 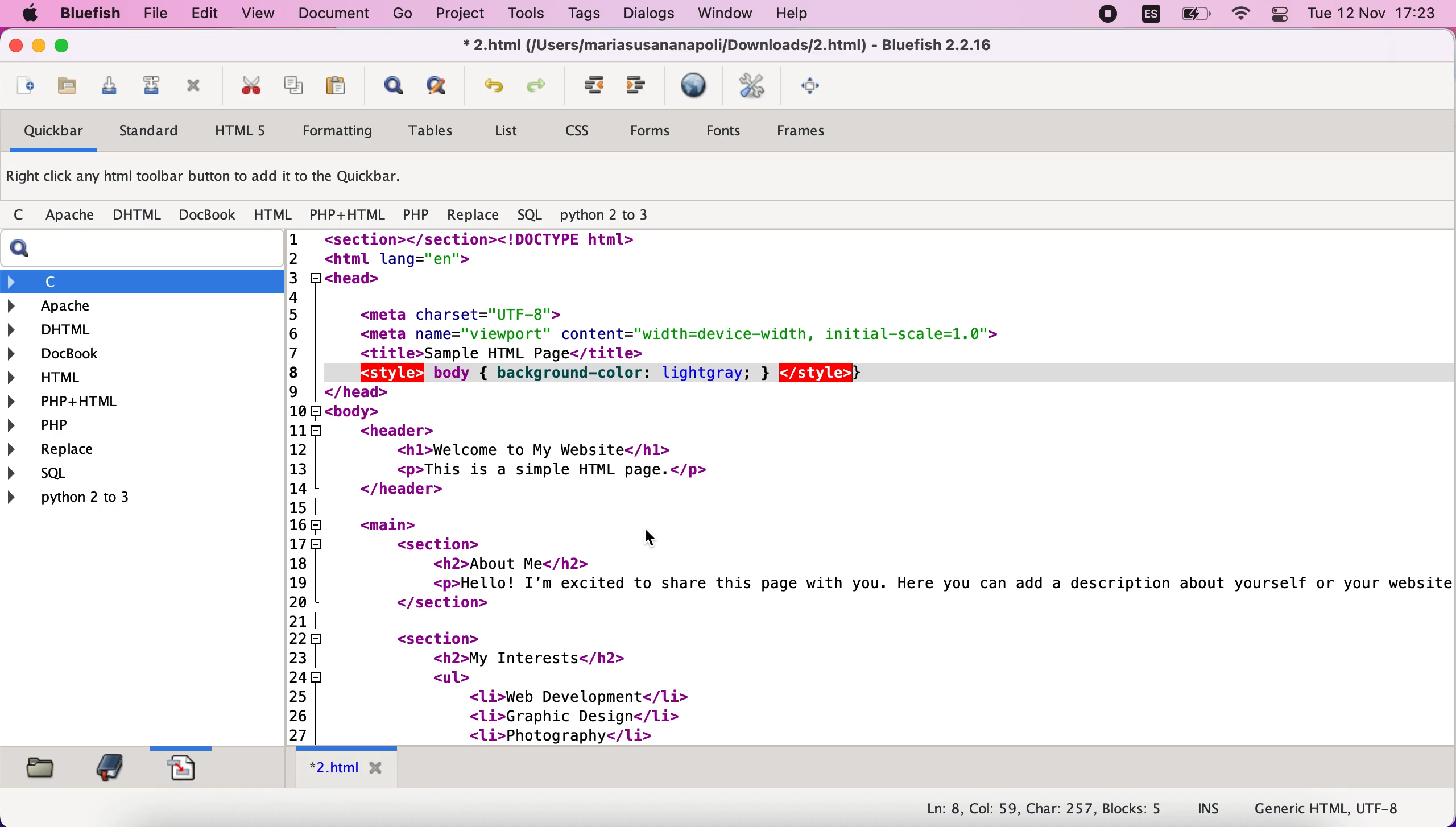 I want to click on cut, so click(x=253, y=86).